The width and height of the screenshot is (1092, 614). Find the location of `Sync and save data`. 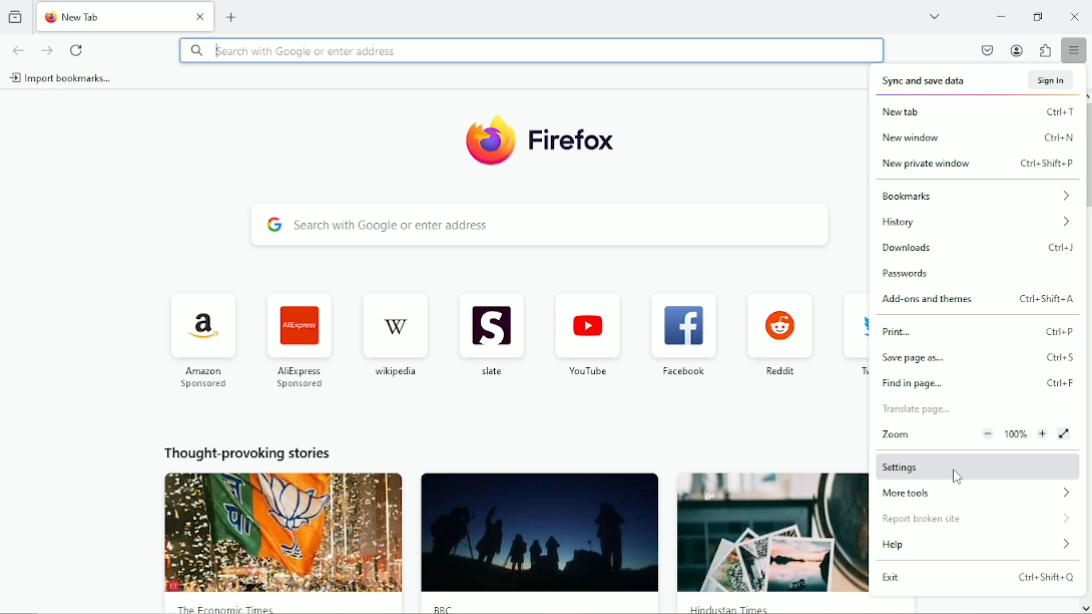

Sync and save data is located at coordinates (923, 82).